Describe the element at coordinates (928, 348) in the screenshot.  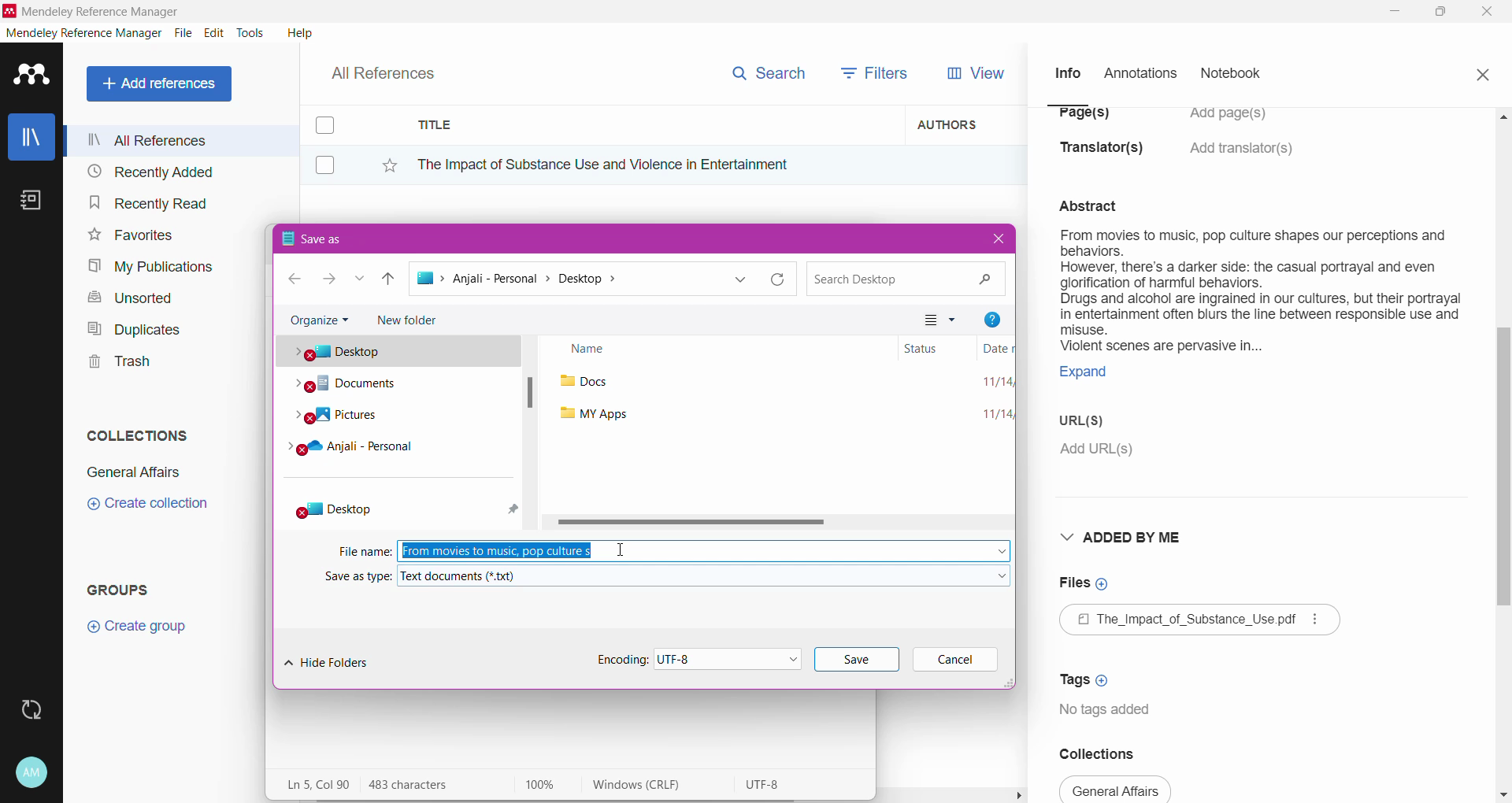
I see `Status` at that location.